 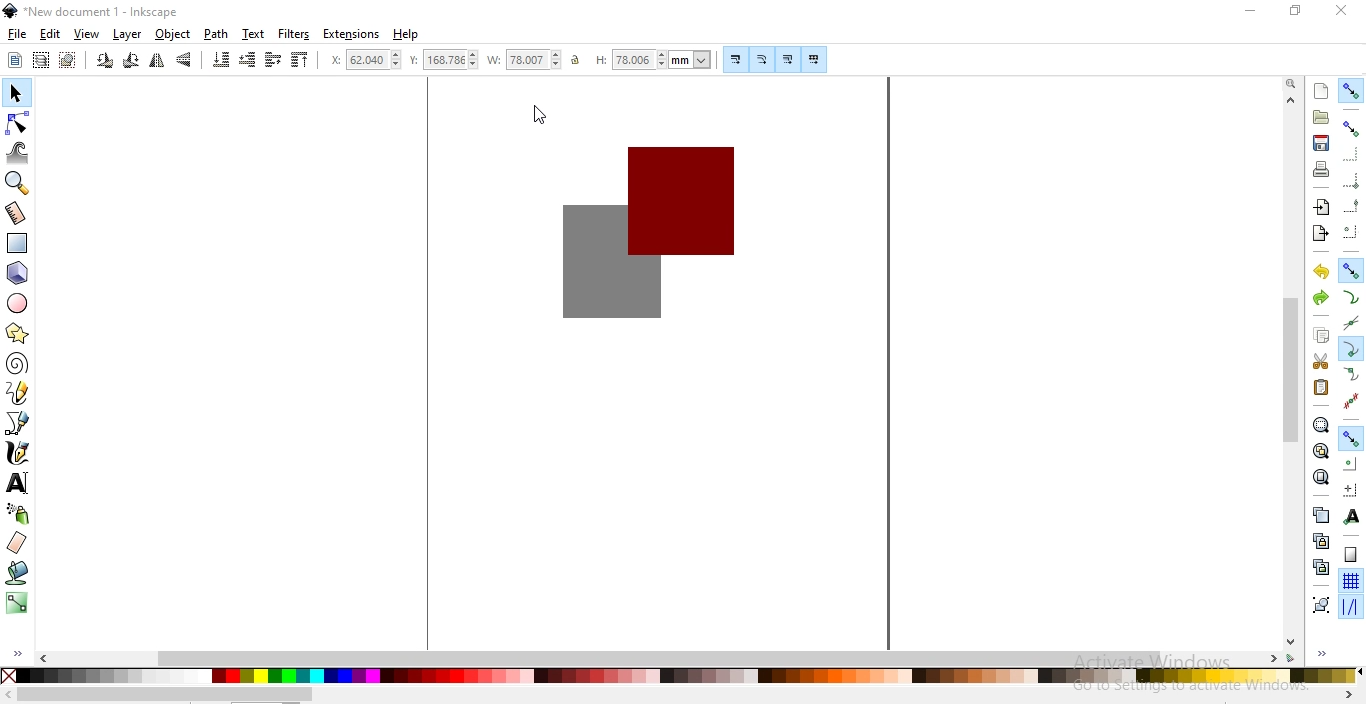 I want to click on create stars and polygon, so click(x=20, y=333).